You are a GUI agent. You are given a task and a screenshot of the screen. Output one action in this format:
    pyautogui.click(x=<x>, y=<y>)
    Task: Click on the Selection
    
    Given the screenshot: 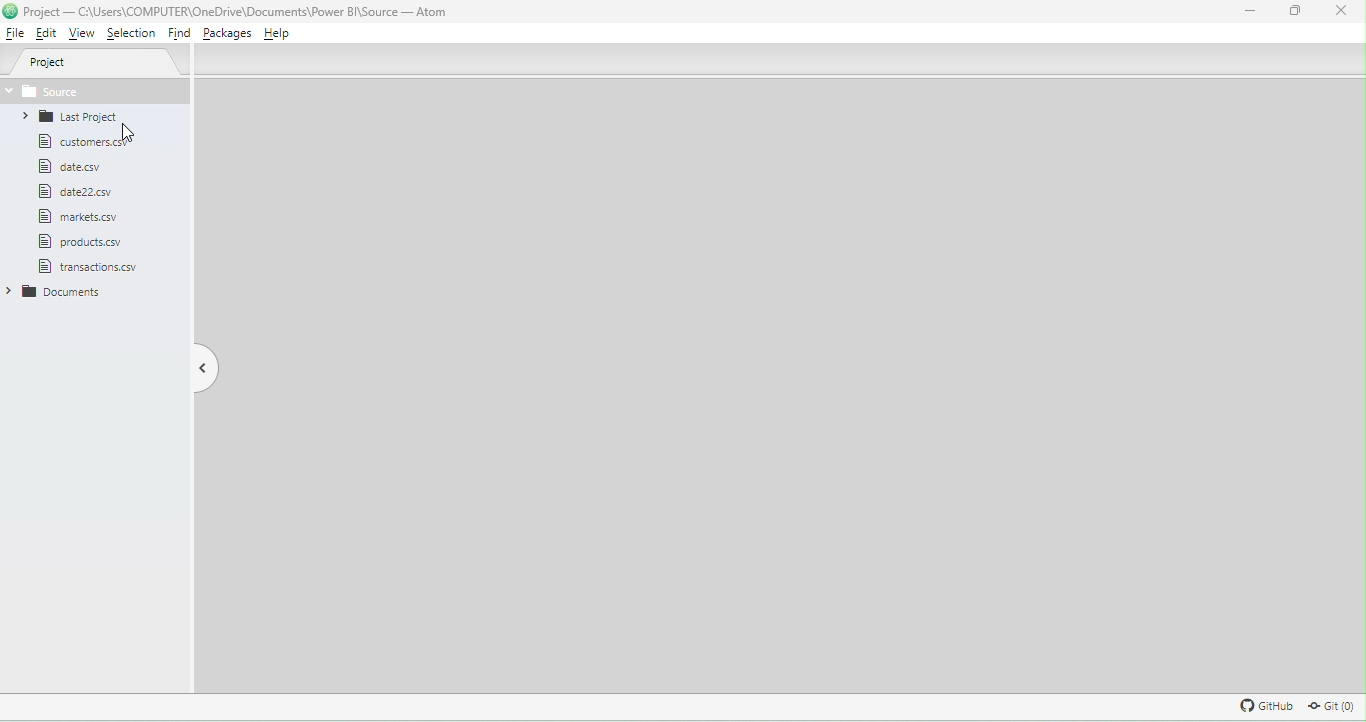 What is the action you would take?
    pyautogui.click(x=131, y=33)
    